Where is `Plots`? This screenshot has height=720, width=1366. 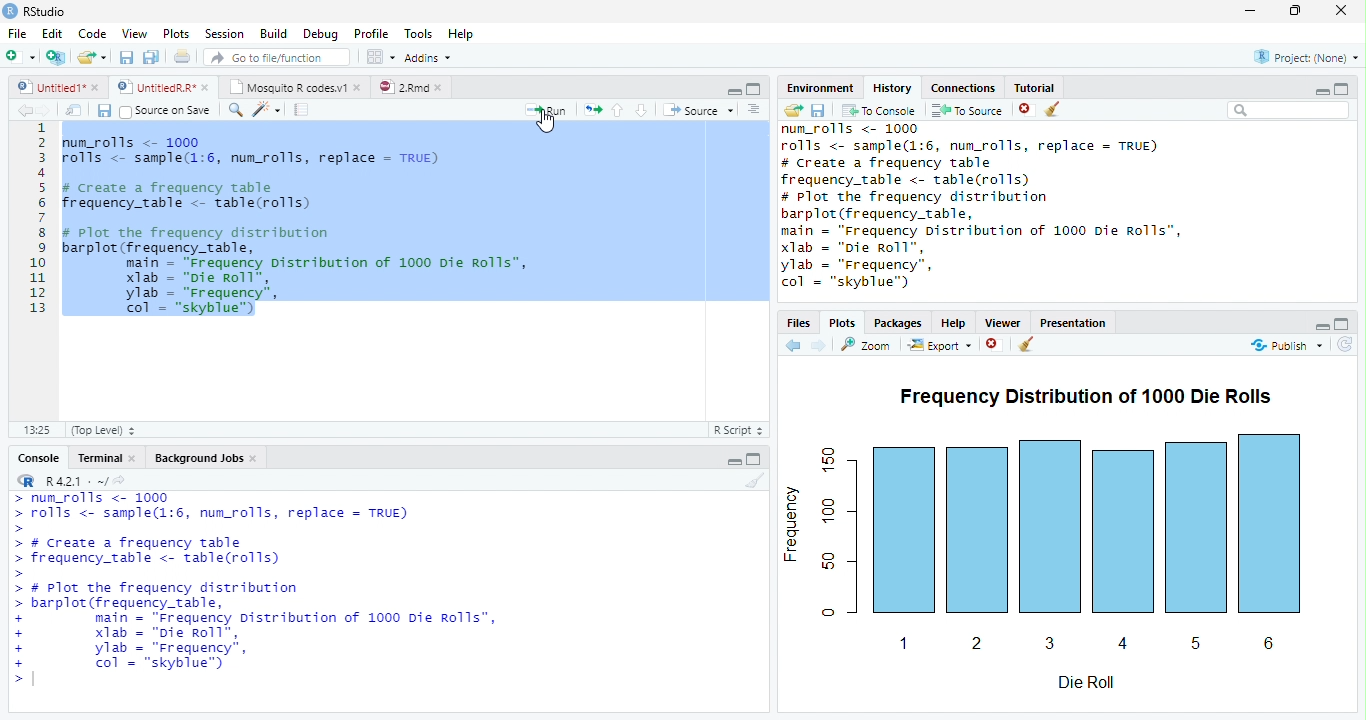 Plots is located at coordinates (843, 321).